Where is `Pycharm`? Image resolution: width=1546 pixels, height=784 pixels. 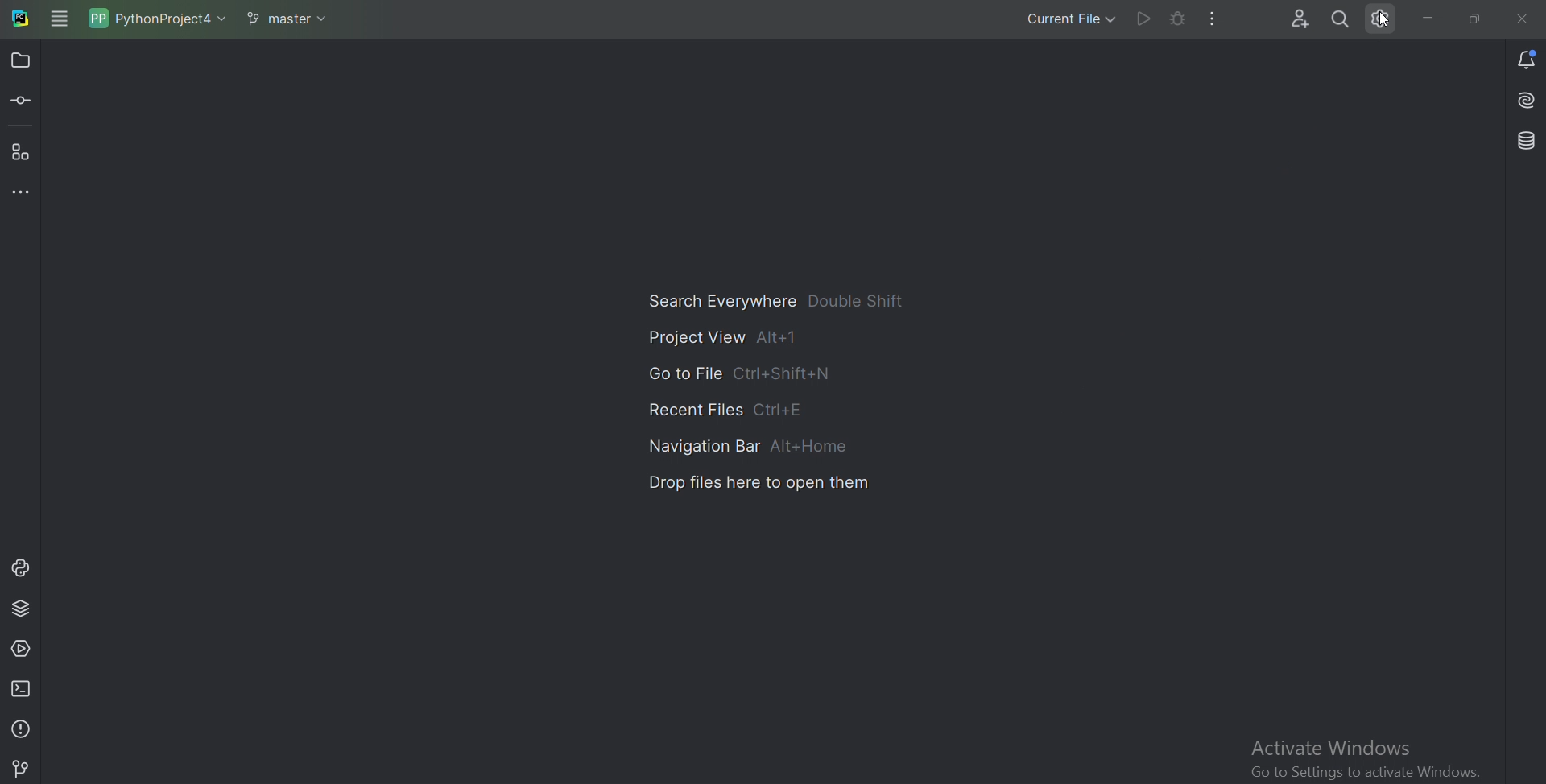 Pycharm is located at coordinates (21, 19).